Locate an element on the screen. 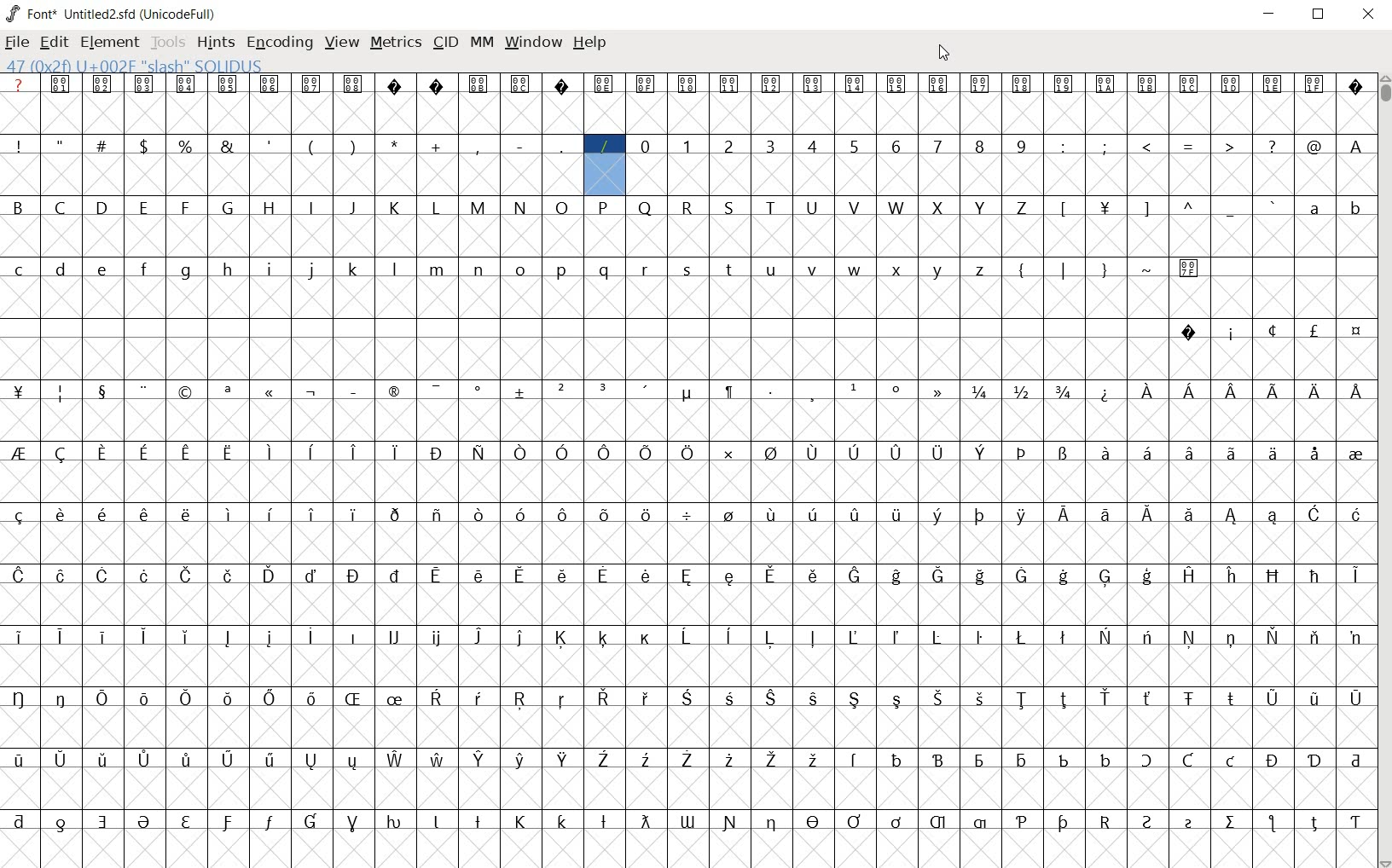  glyph is located at coordinates (855, 270).